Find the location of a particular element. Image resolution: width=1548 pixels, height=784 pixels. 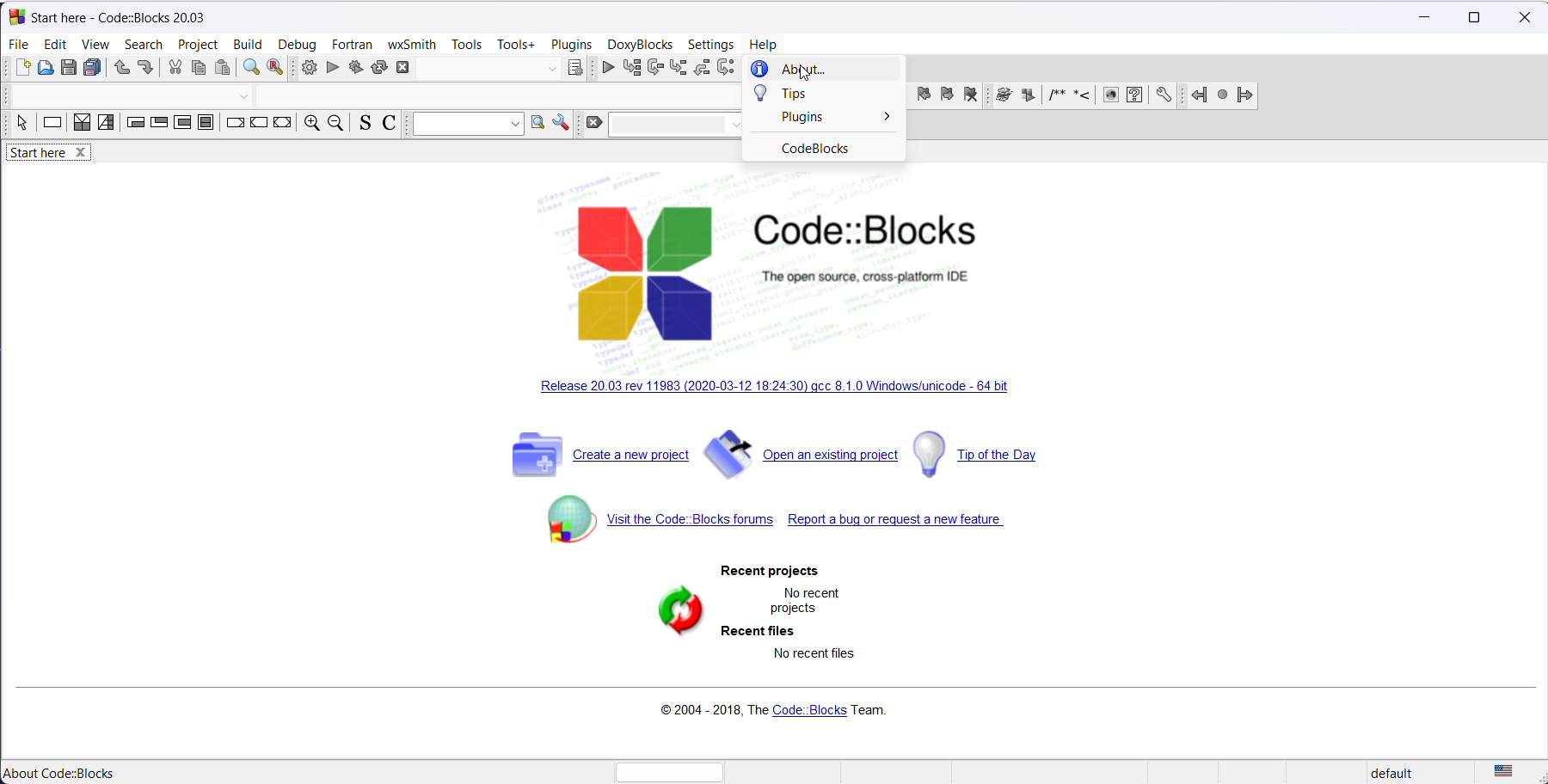

run is located at coordinates (329, 70).